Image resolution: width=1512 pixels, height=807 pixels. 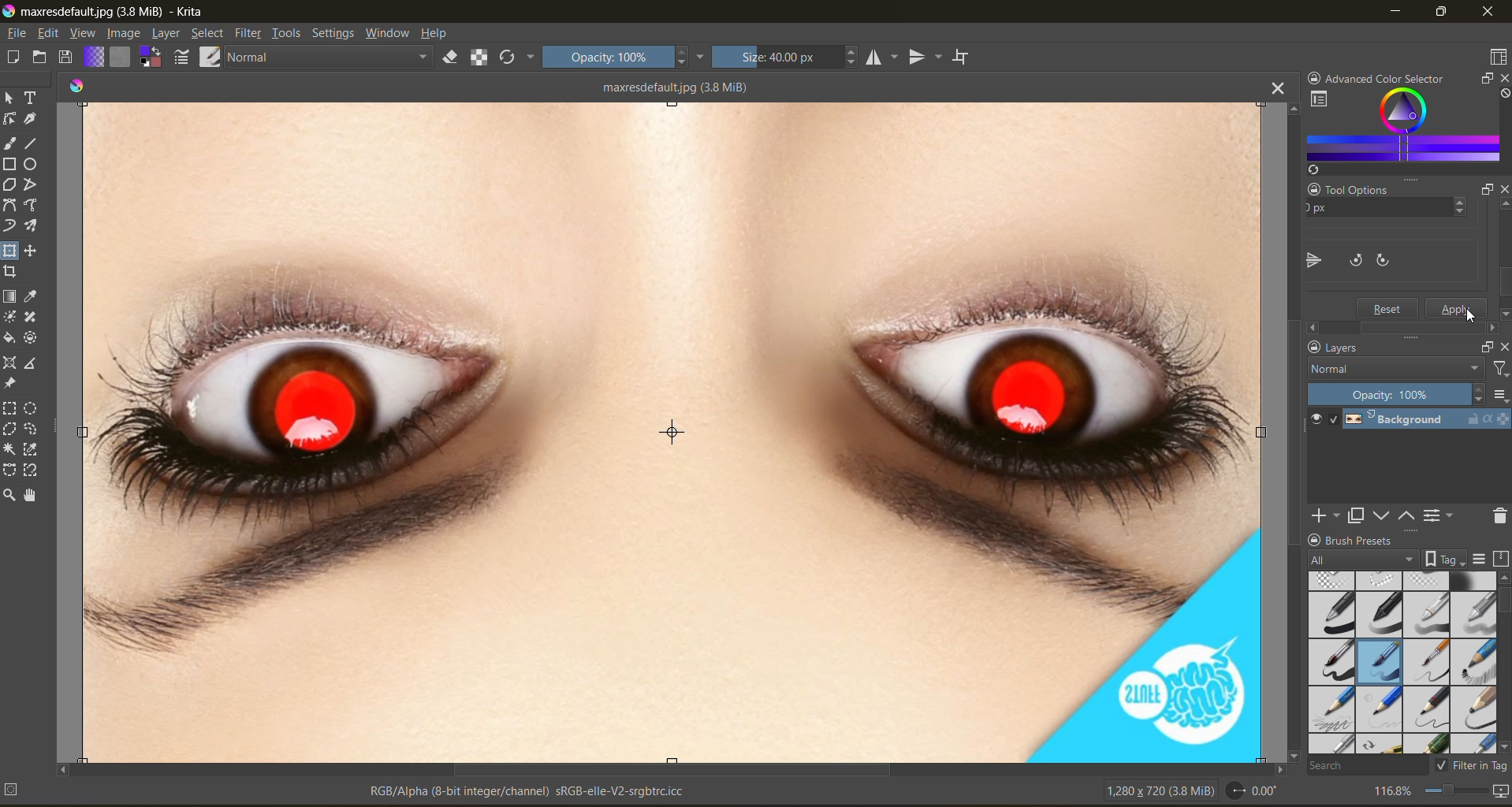 What do you see at coordinates (35, 449) in the screenshot?
I see `tool` at bounding box center [35, 449].